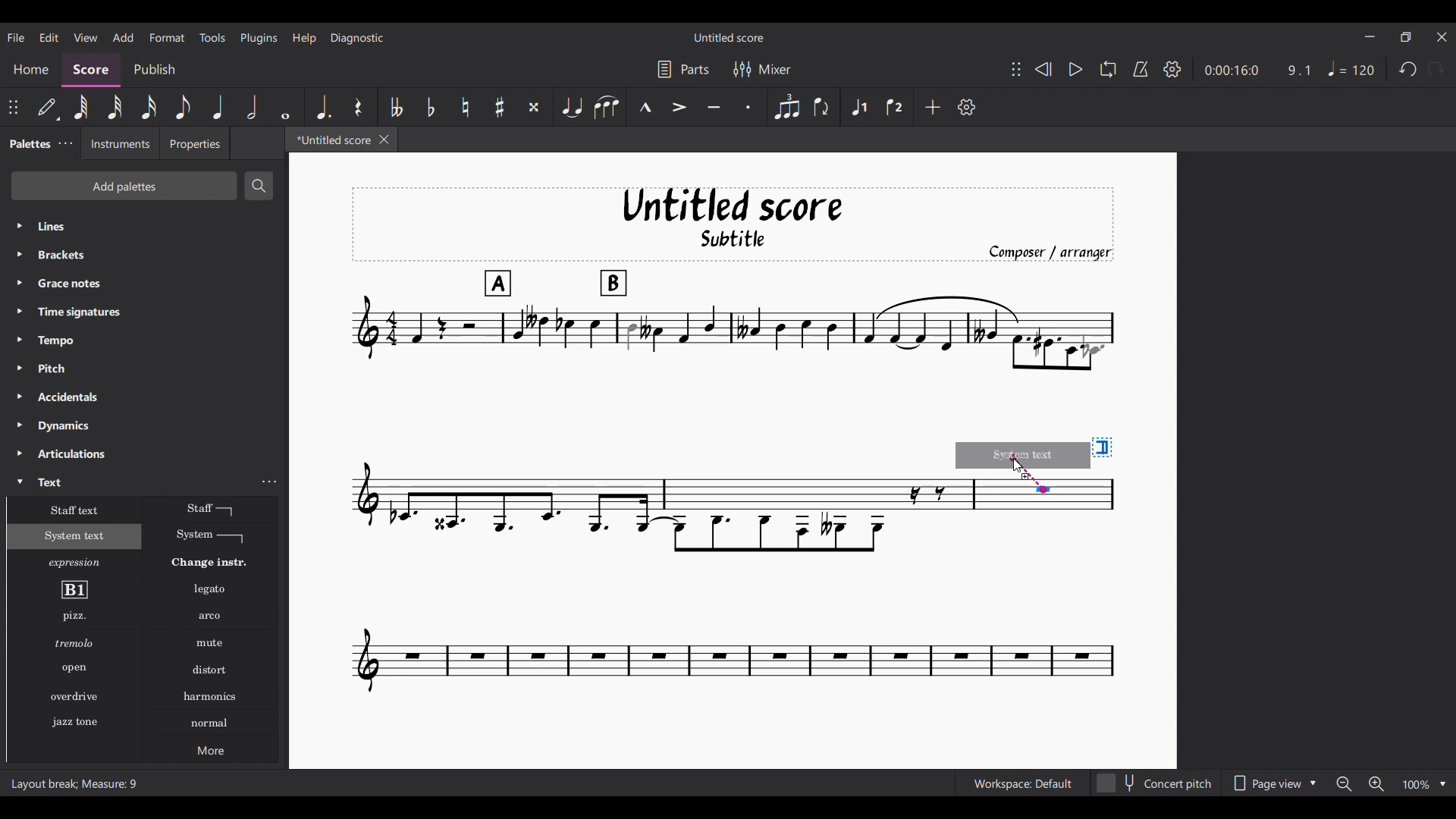 Image resolution: width=1456 pixels, height=819 pixels. What do you see at coordinates (1436, 69) in the screenshot?
I see `Redo` at bounding box center [1436, 69].